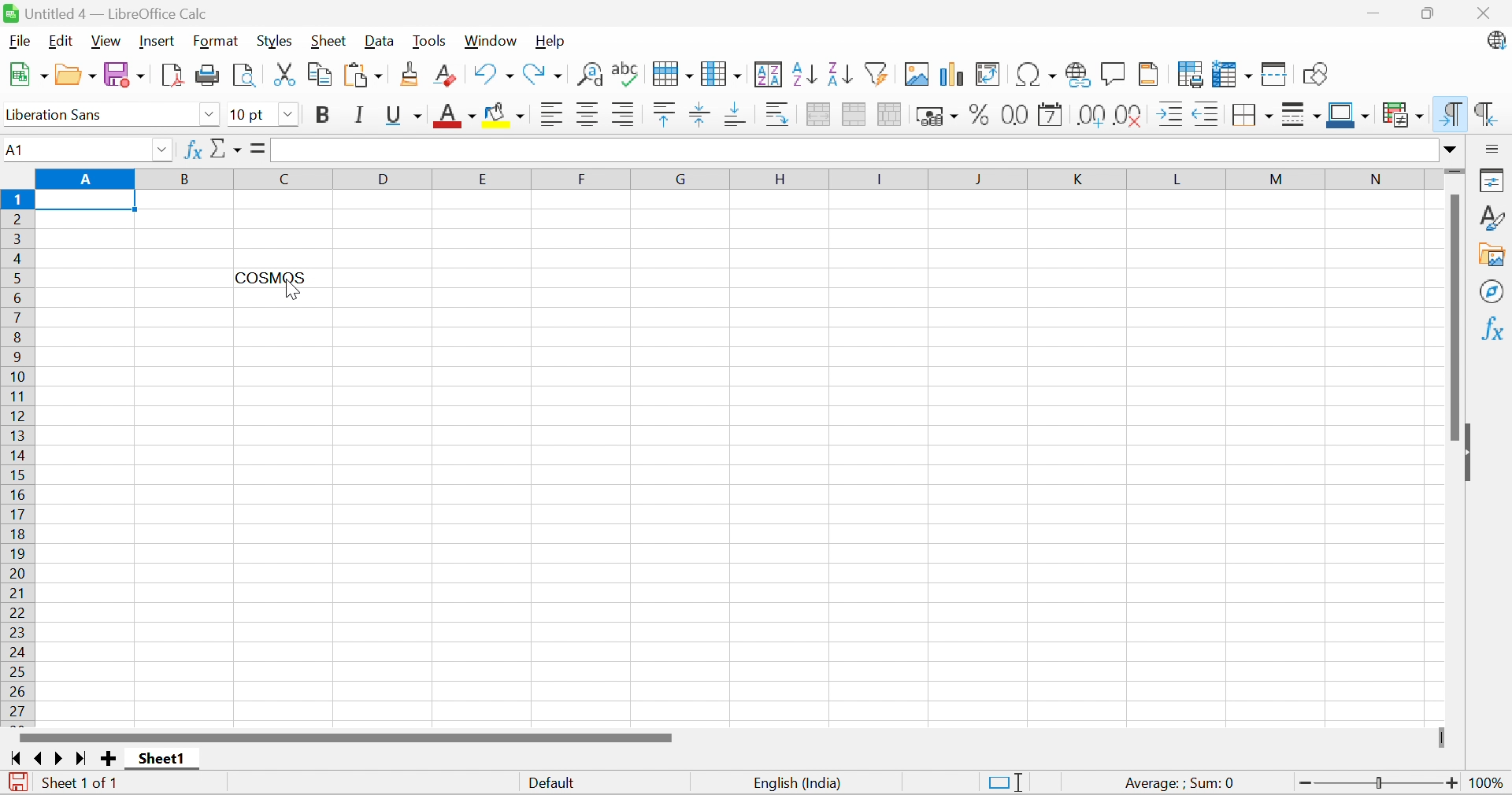 This screenshot has height=795, width=1512. I want to click on English (India), so click(801, 782).